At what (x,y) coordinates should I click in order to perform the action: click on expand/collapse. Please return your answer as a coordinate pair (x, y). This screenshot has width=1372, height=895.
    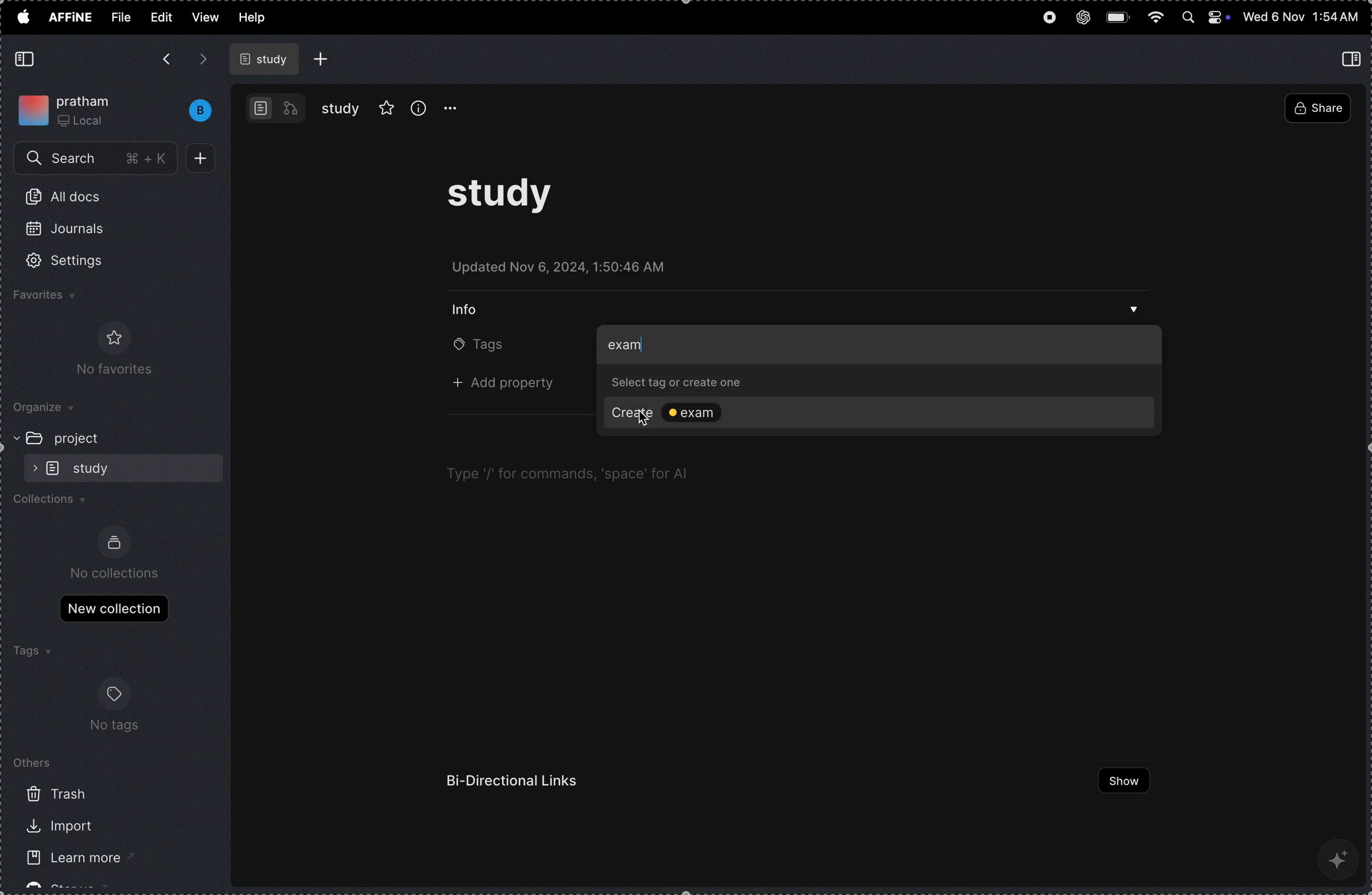
    Looking at the image, I should click on (31, 468).